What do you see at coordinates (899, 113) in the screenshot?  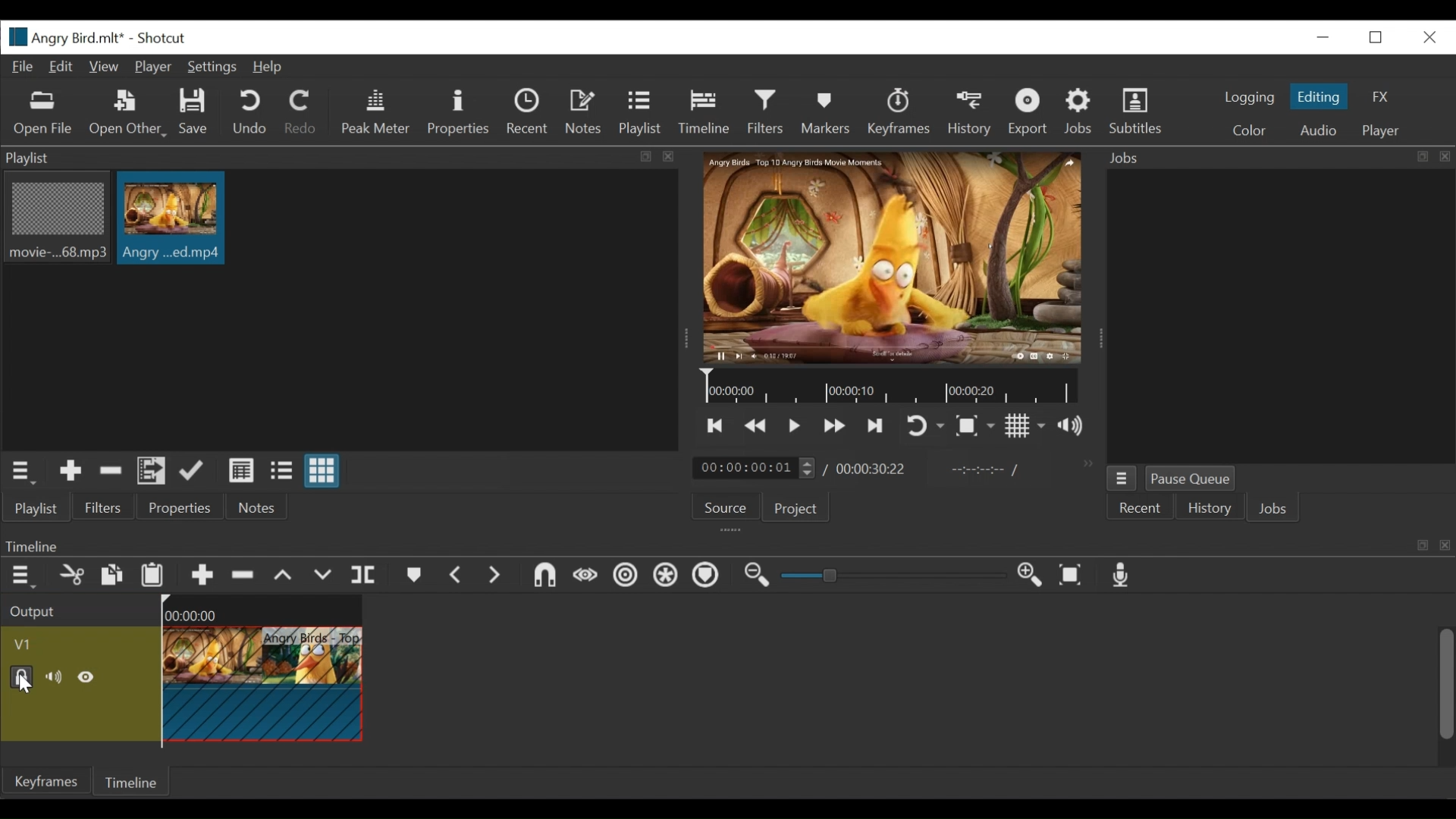 I see `Keyframes` at bounding box center [899, 113].